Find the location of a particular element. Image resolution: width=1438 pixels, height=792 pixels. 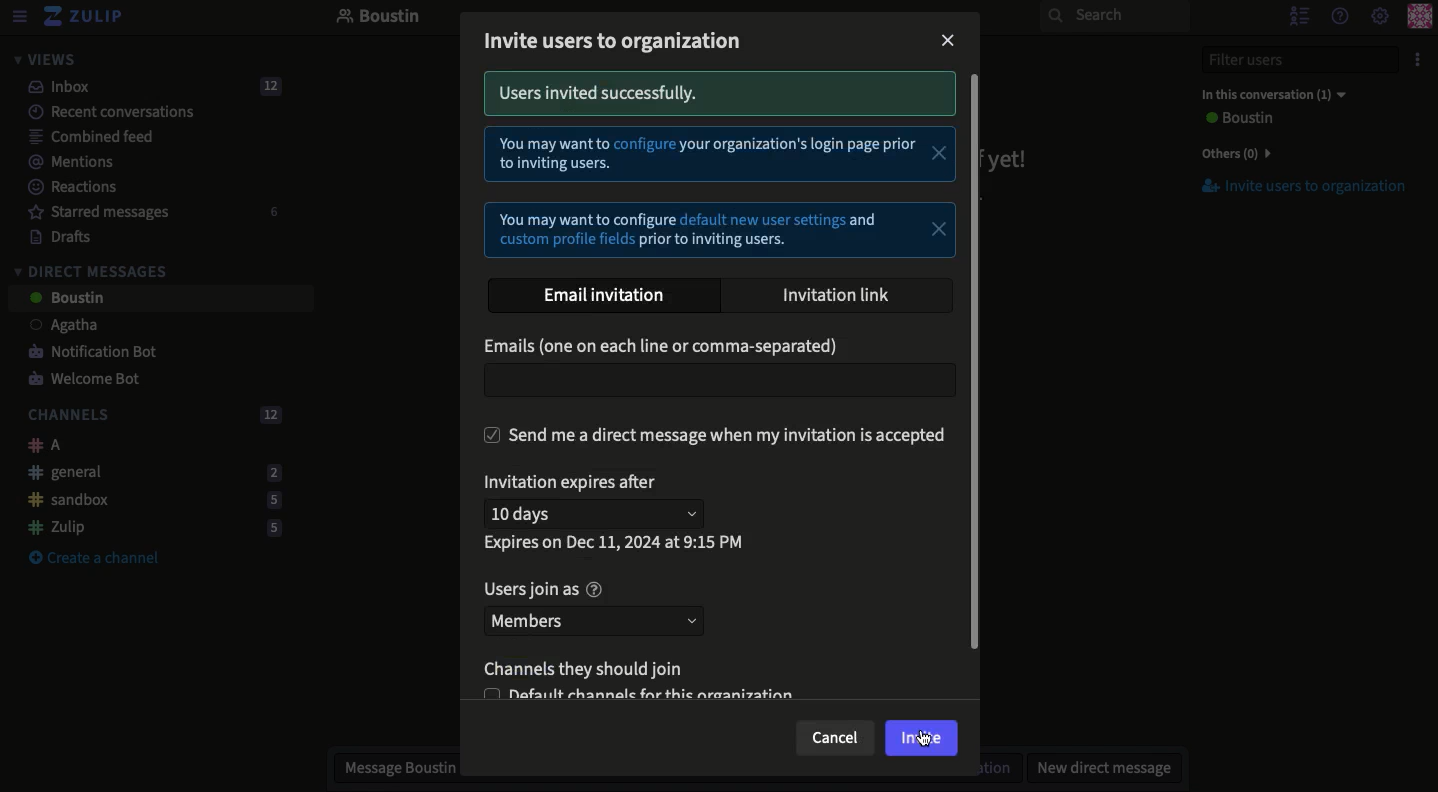

Filter users is located at coordinates (1288, 60).